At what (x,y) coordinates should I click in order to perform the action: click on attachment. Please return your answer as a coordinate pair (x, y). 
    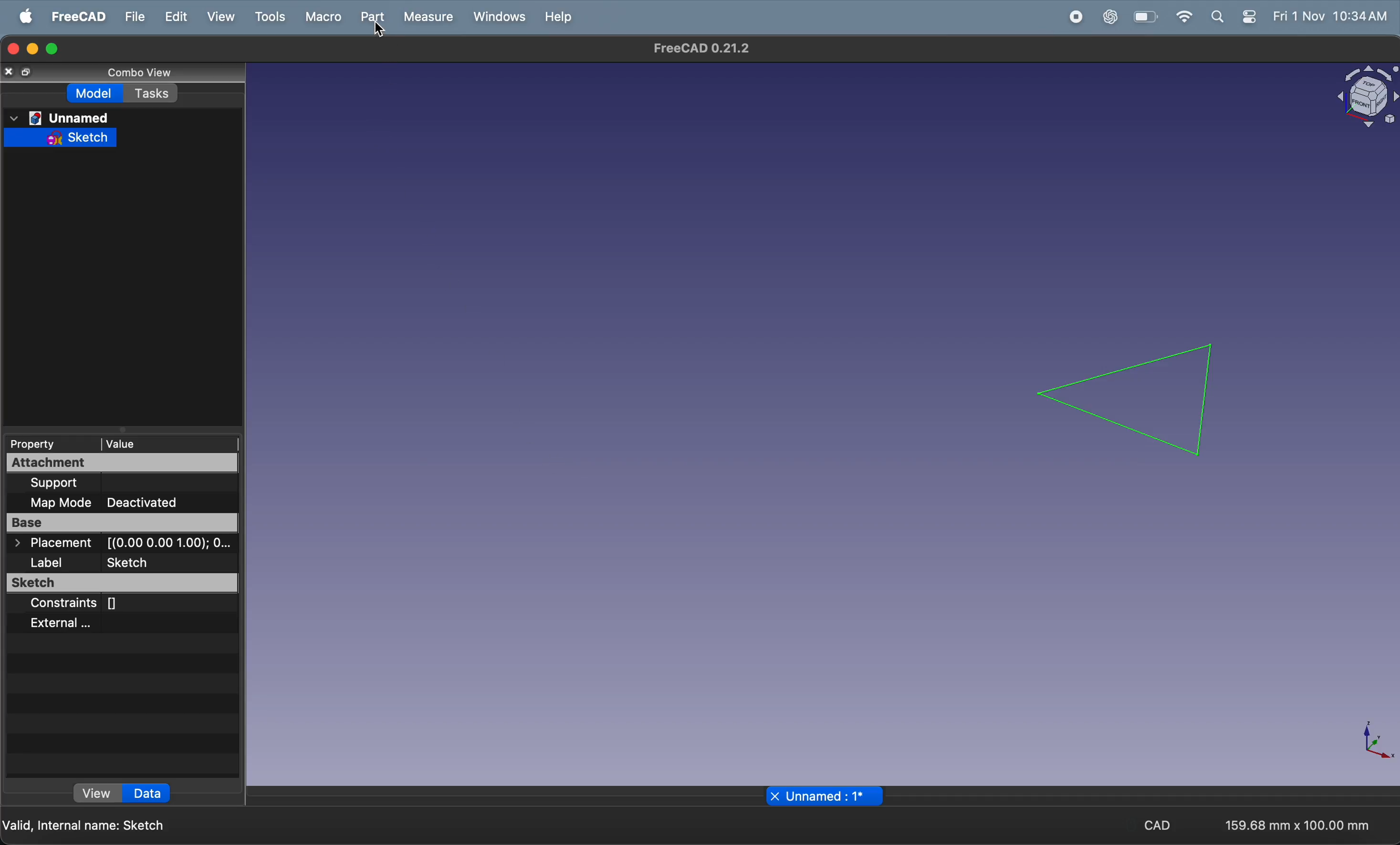
    Looking at the image, I should click on (95, 463).